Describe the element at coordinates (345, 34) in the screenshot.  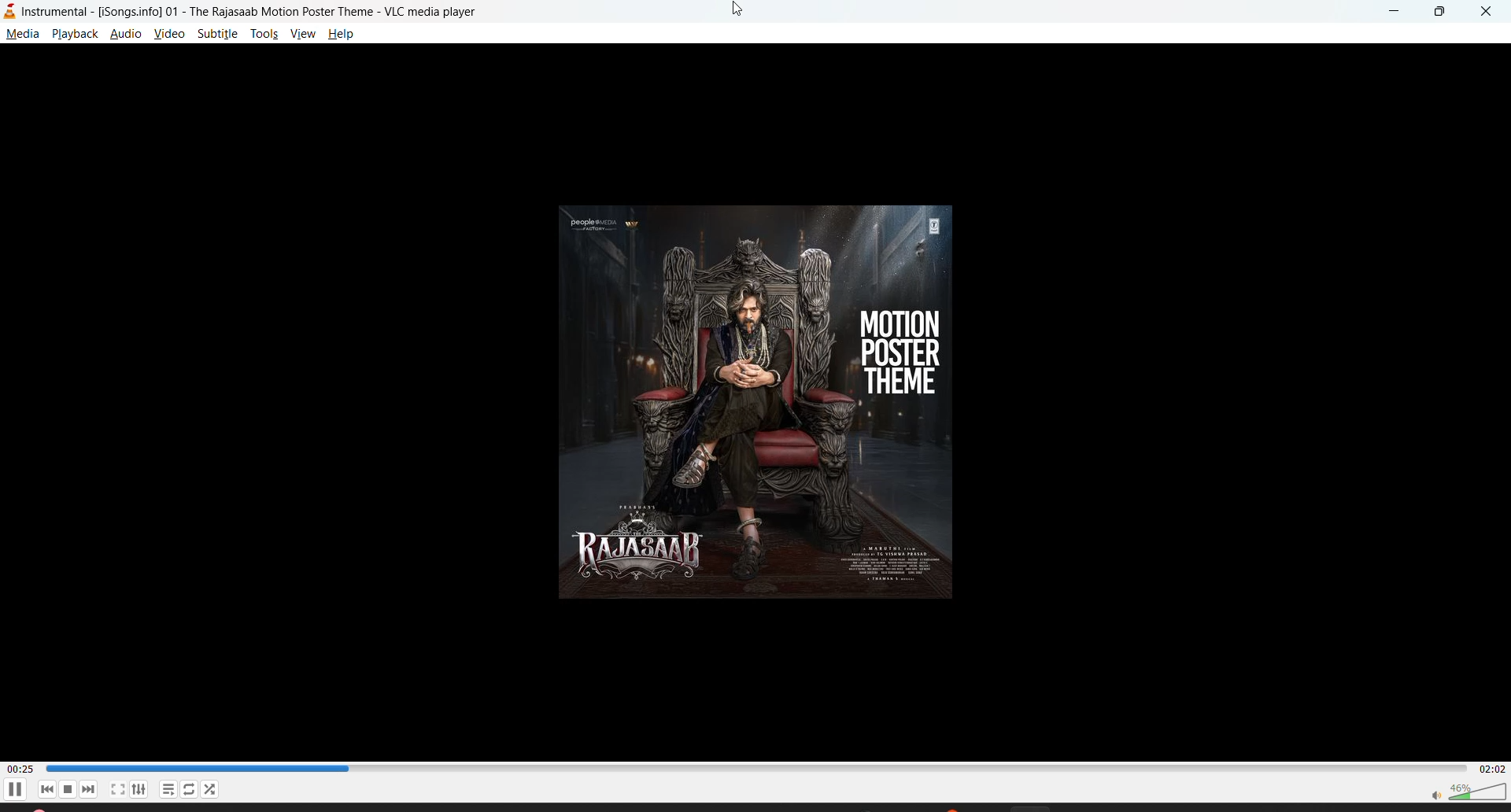
I see `help` at that location.